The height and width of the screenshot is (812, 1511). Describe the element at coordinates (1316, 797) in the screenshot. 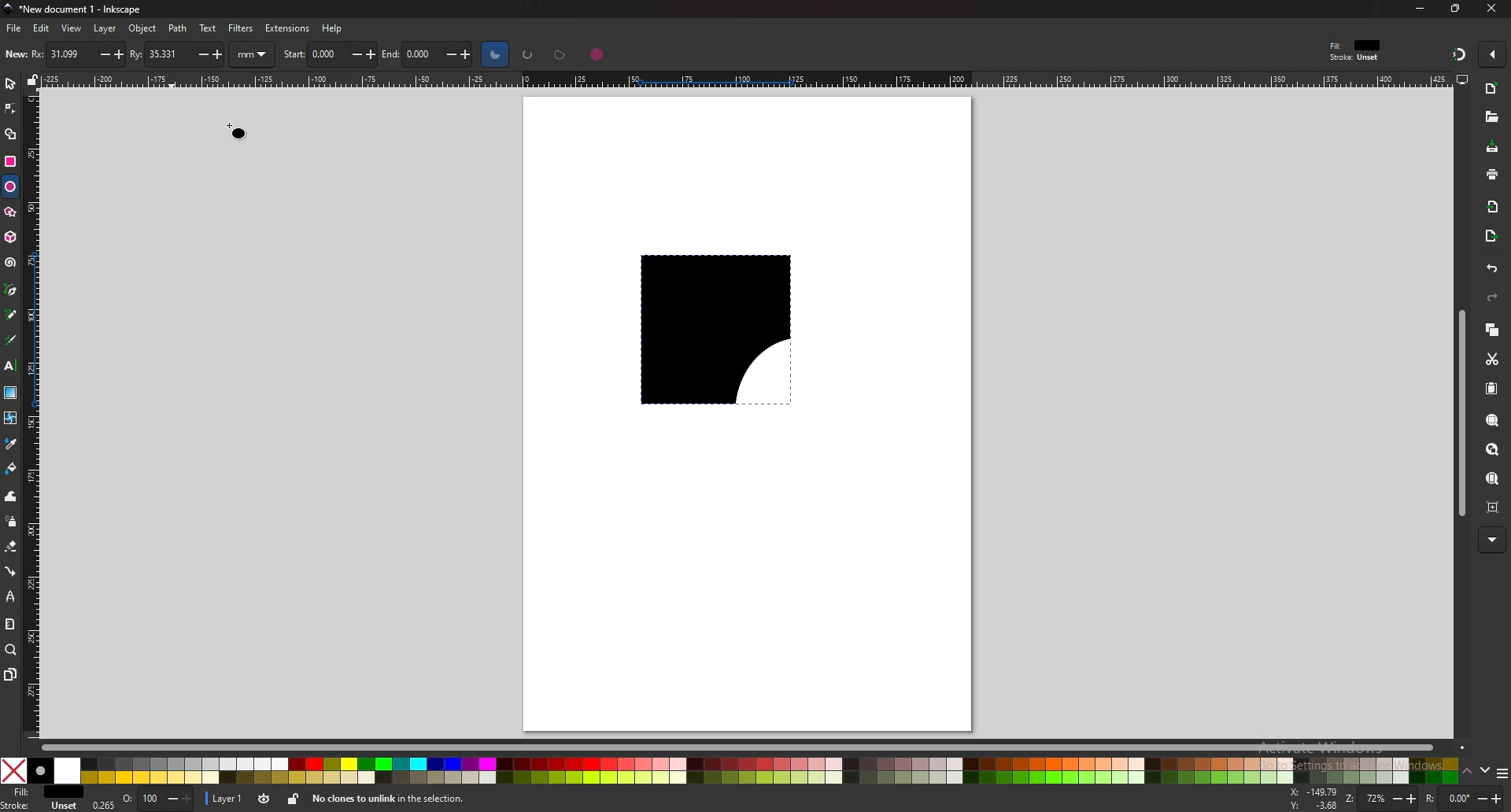

I see `x and y coodinates` at that location.